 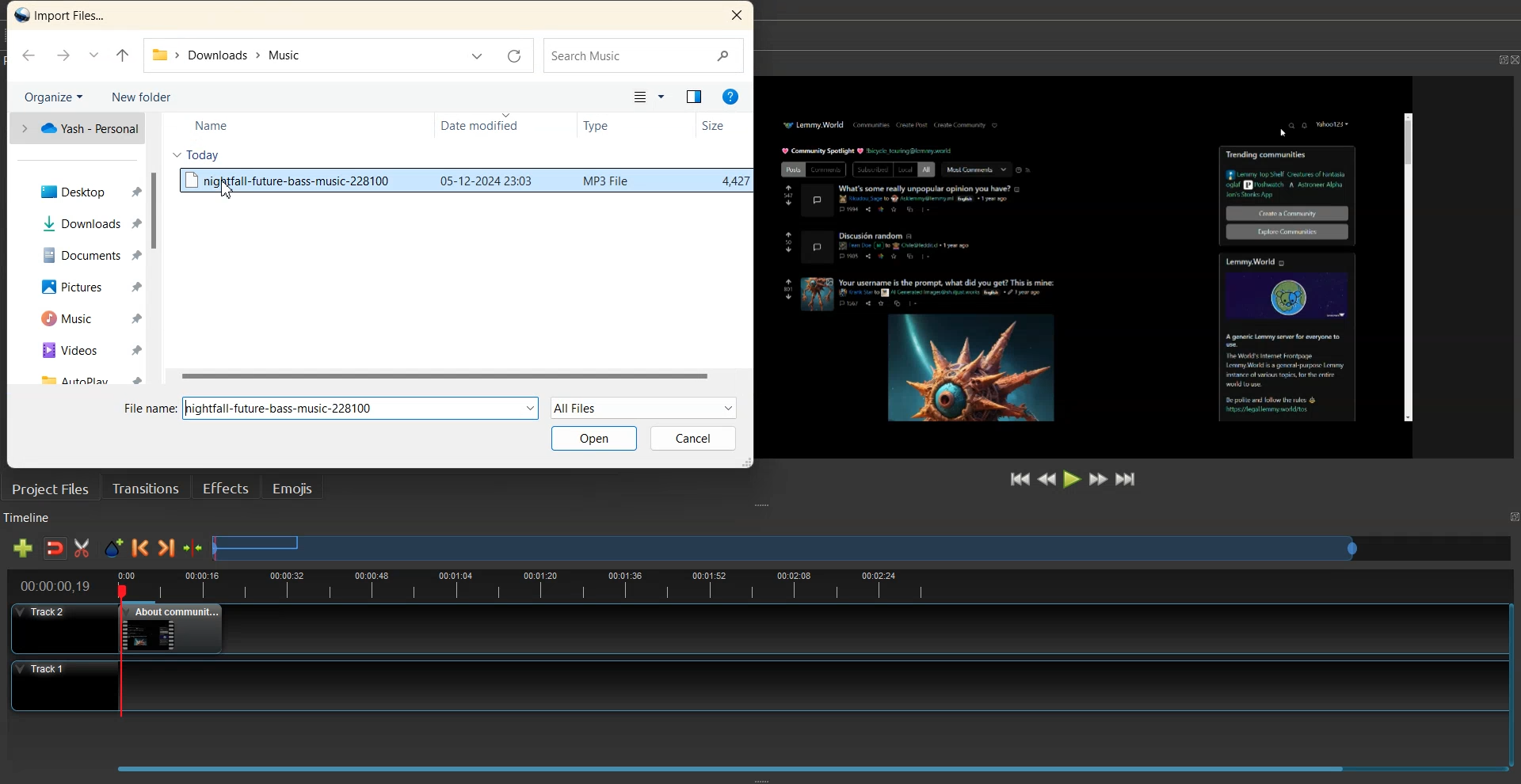 I want to click on Previous Location, so click(x=476, y=56).